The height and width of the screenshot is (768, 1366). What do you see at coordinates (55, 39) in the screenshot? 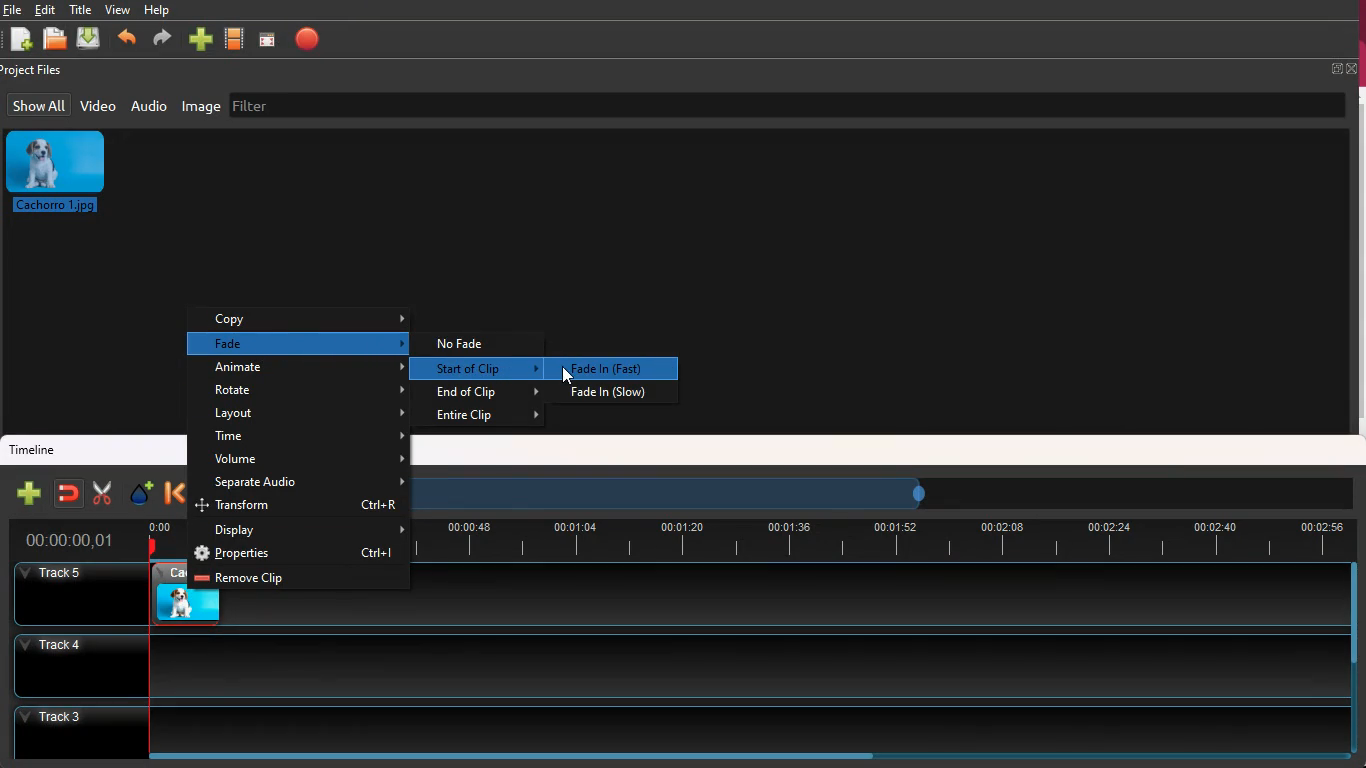
I see `open files` at bounding box center [55, 39].